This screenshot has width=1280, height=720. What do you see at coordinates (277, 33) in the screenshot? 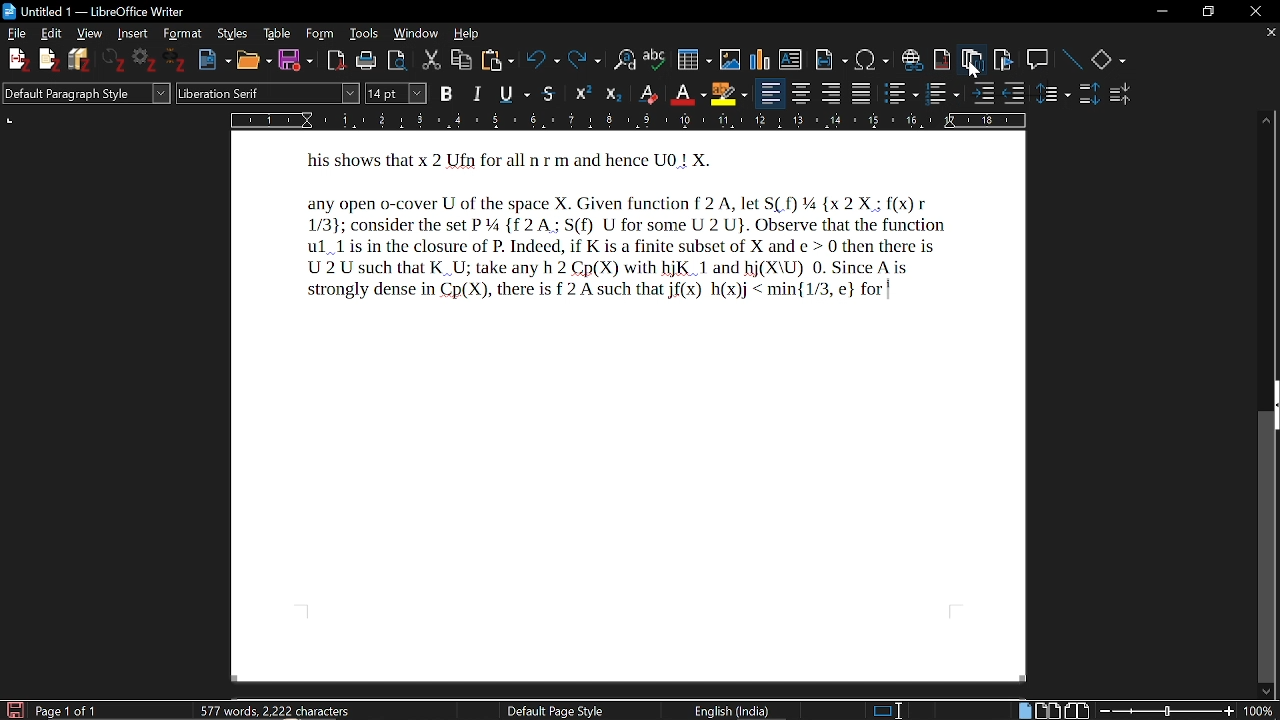
I see `Table` at bounding box center [277, 33].